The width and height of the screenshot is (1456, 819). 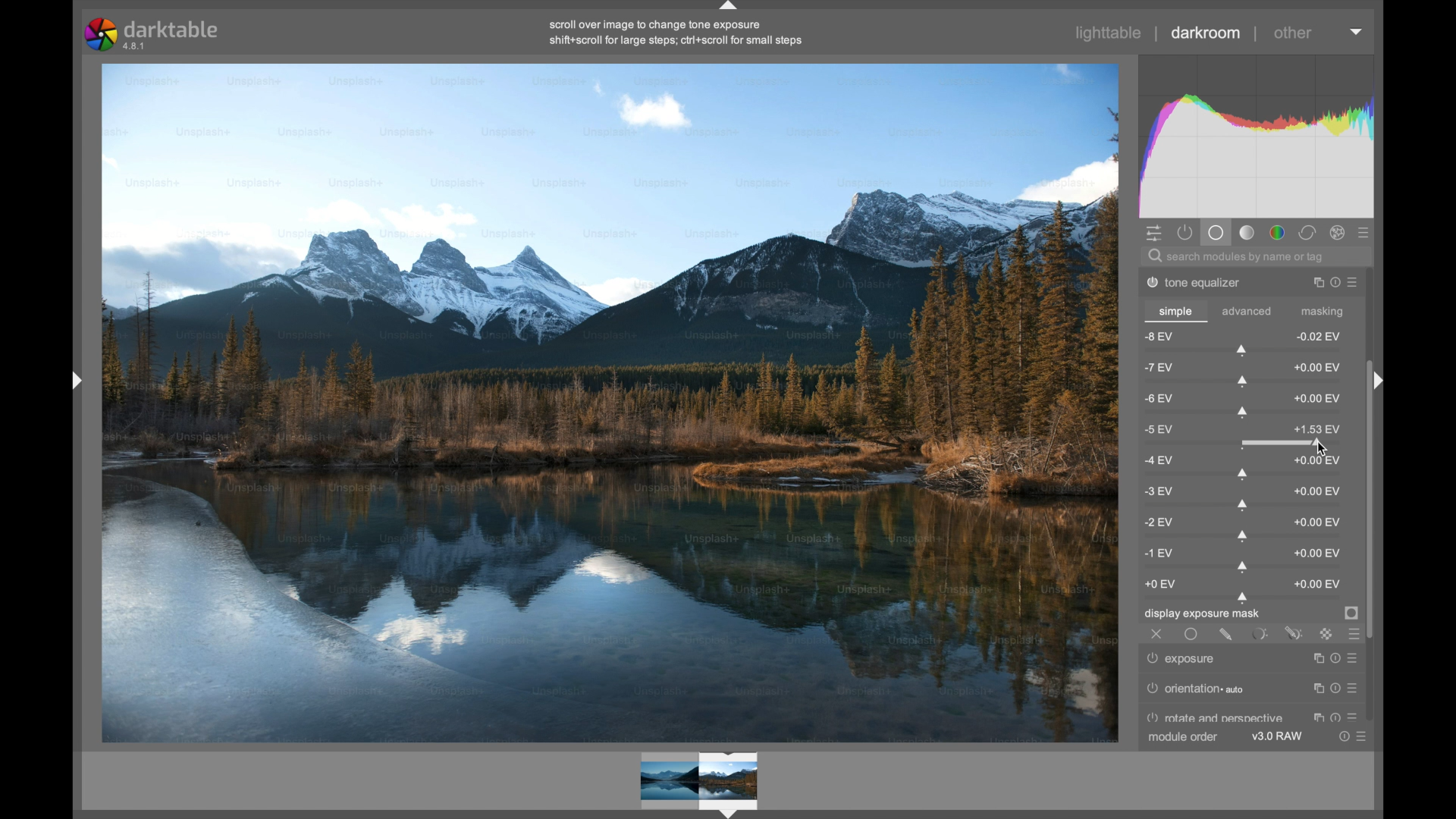 What do you see at coordinates (1317, 522) in the screenshot?
I see `0.00 ev` at bounding box center [1317, 522].